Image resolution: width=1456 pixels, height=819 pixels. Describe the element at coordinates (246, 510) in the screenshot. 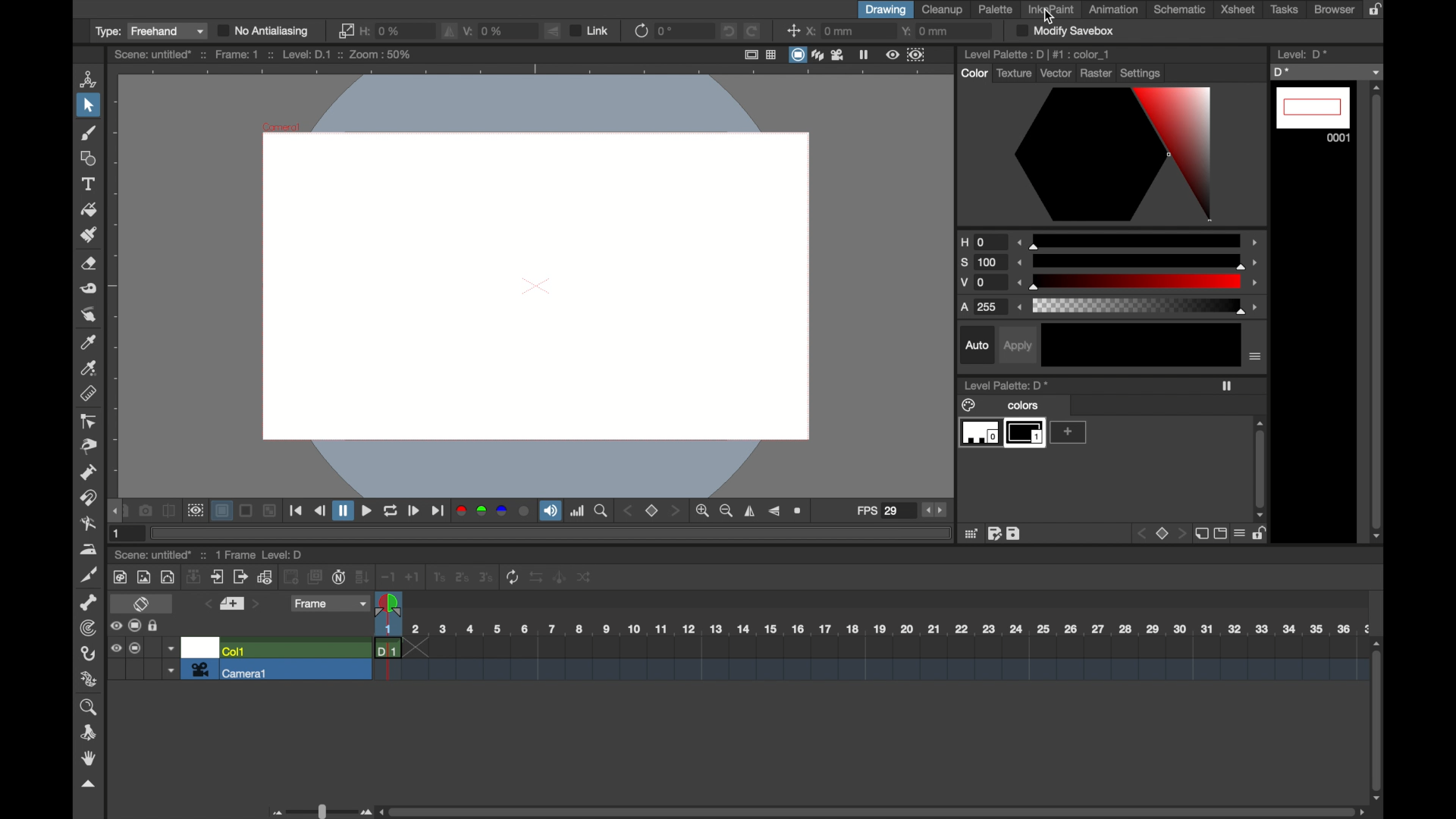

I see `screen` at that location.